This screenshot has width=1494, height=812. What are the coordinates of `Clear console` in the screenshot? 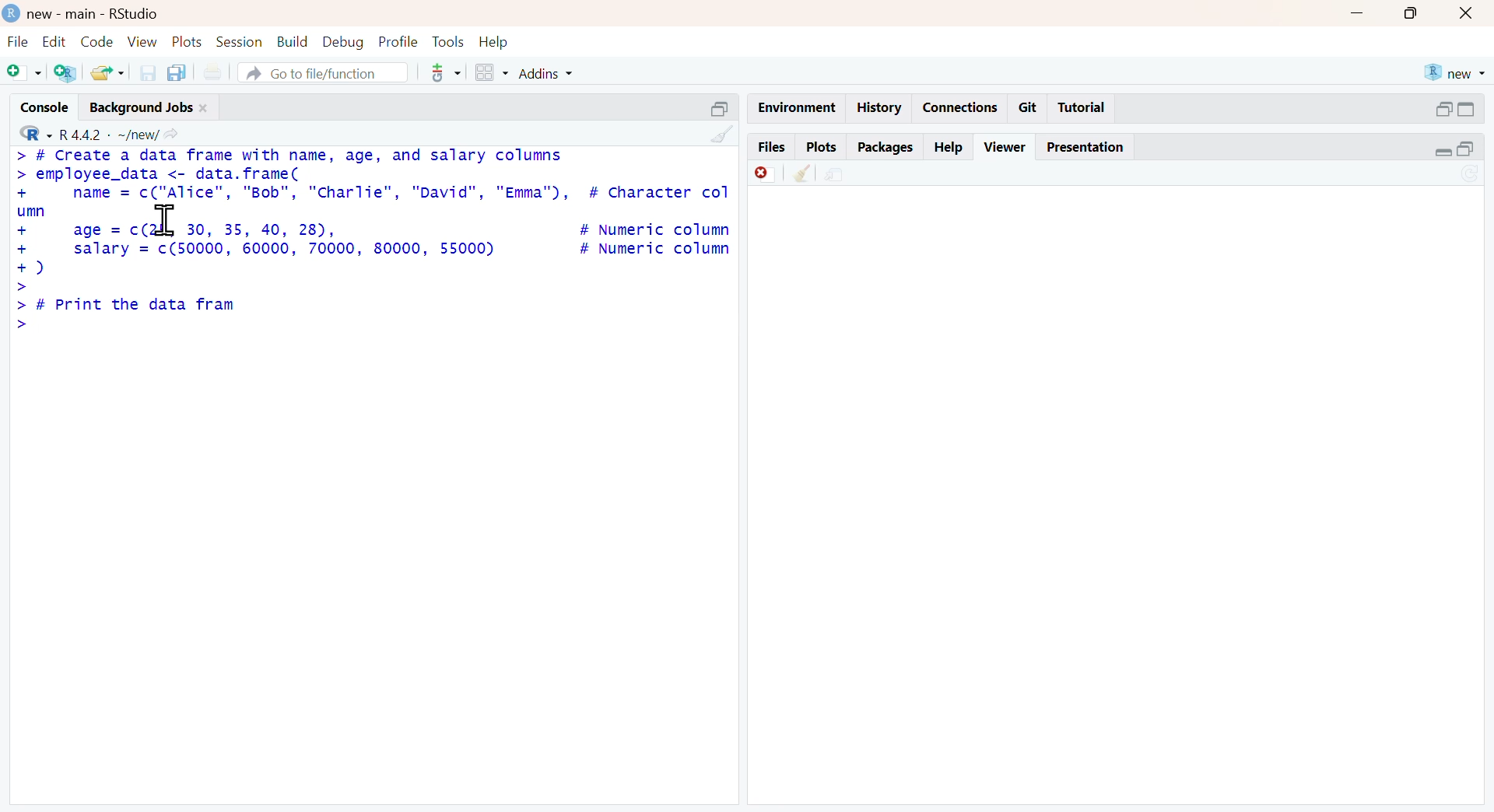 It's located at (716, 133).